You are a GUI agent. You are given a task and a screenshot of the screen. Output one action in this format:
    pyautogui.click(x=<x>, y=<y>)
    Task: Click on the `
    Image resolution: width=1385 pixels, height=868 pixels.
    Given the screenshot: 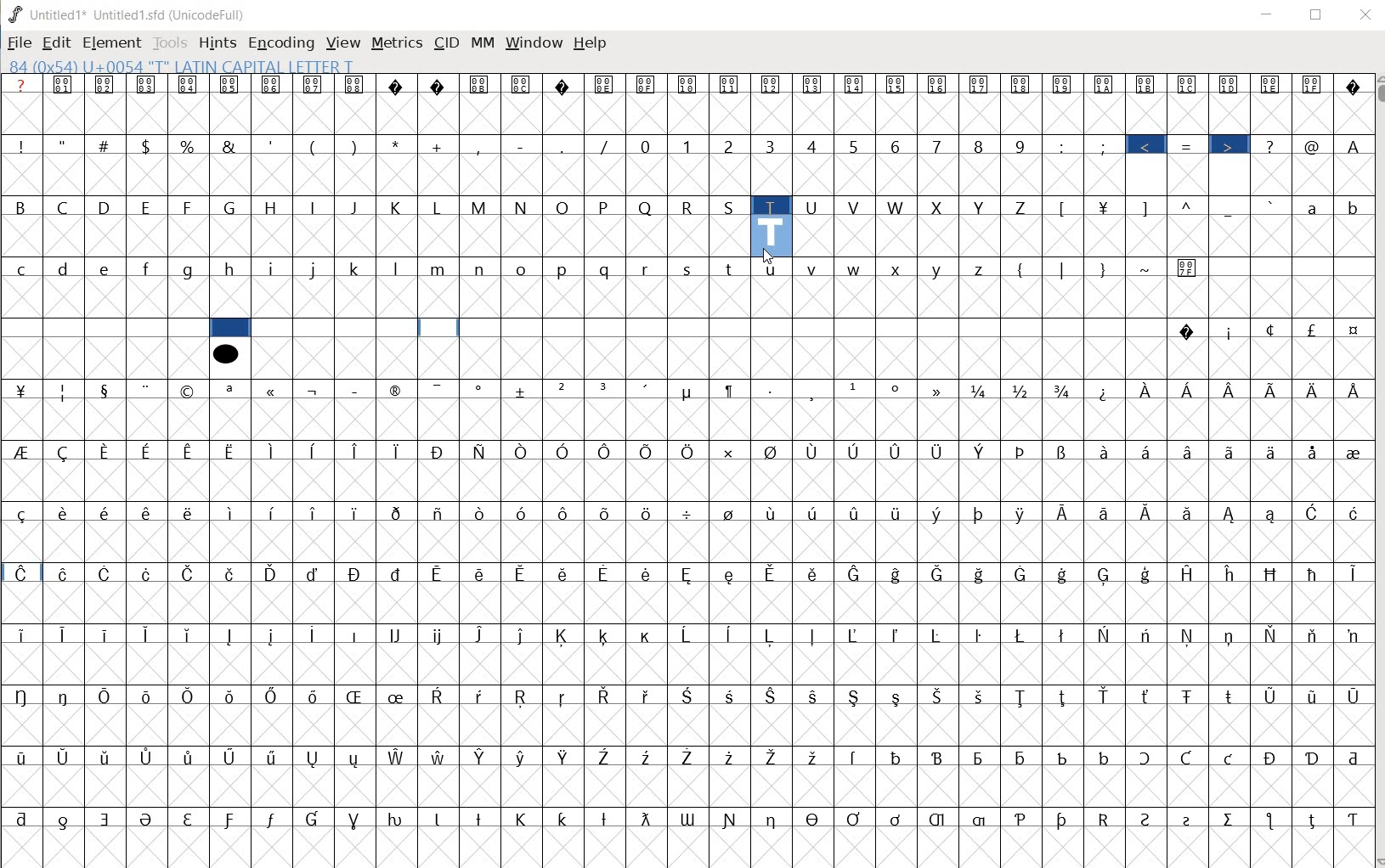 What is the action you would take?
    pyautogui.click(x=1271, y=206)
    